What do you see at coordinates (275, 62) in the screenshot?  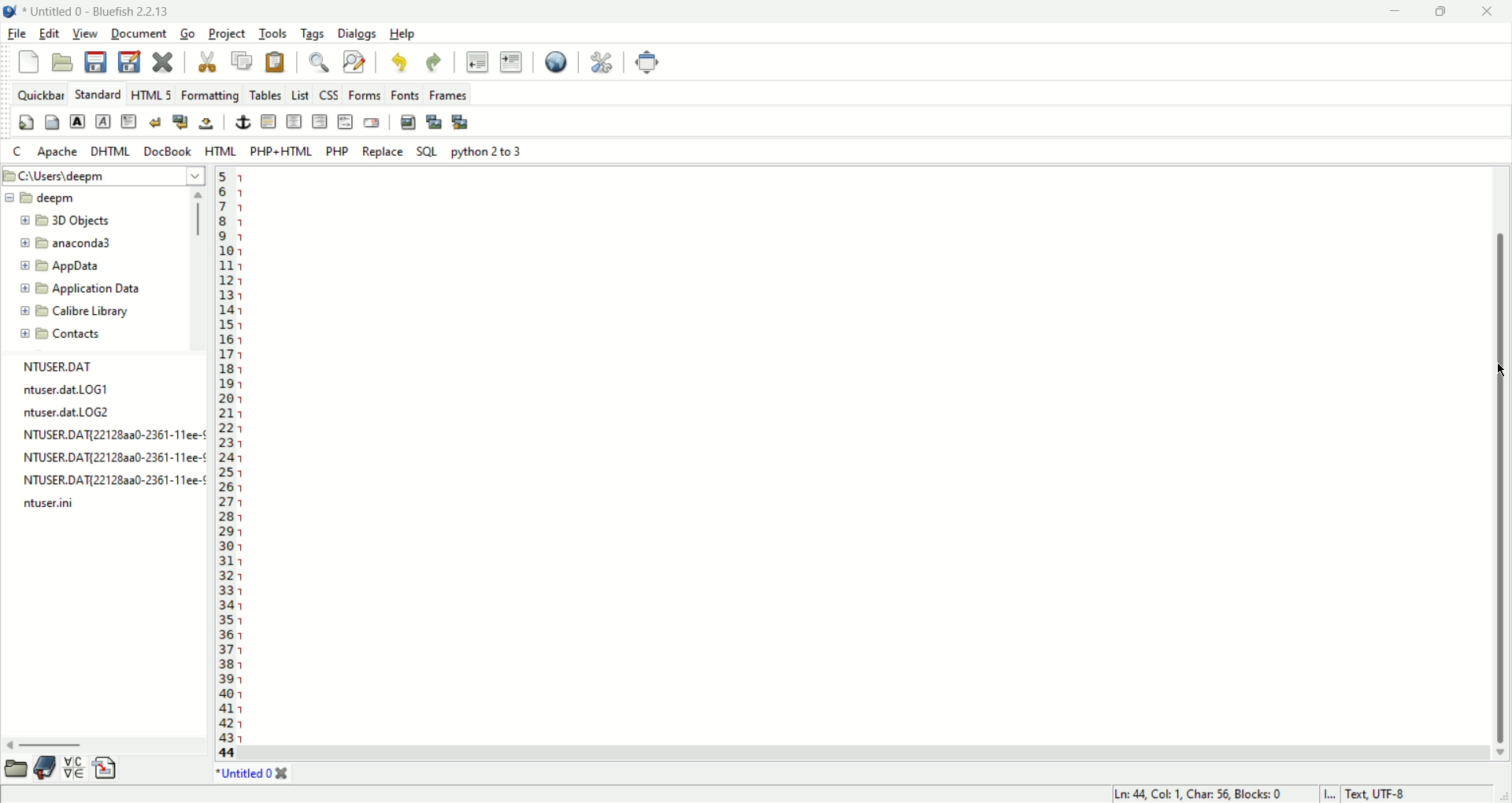 I see `paste` at bounding box center [275, 62].